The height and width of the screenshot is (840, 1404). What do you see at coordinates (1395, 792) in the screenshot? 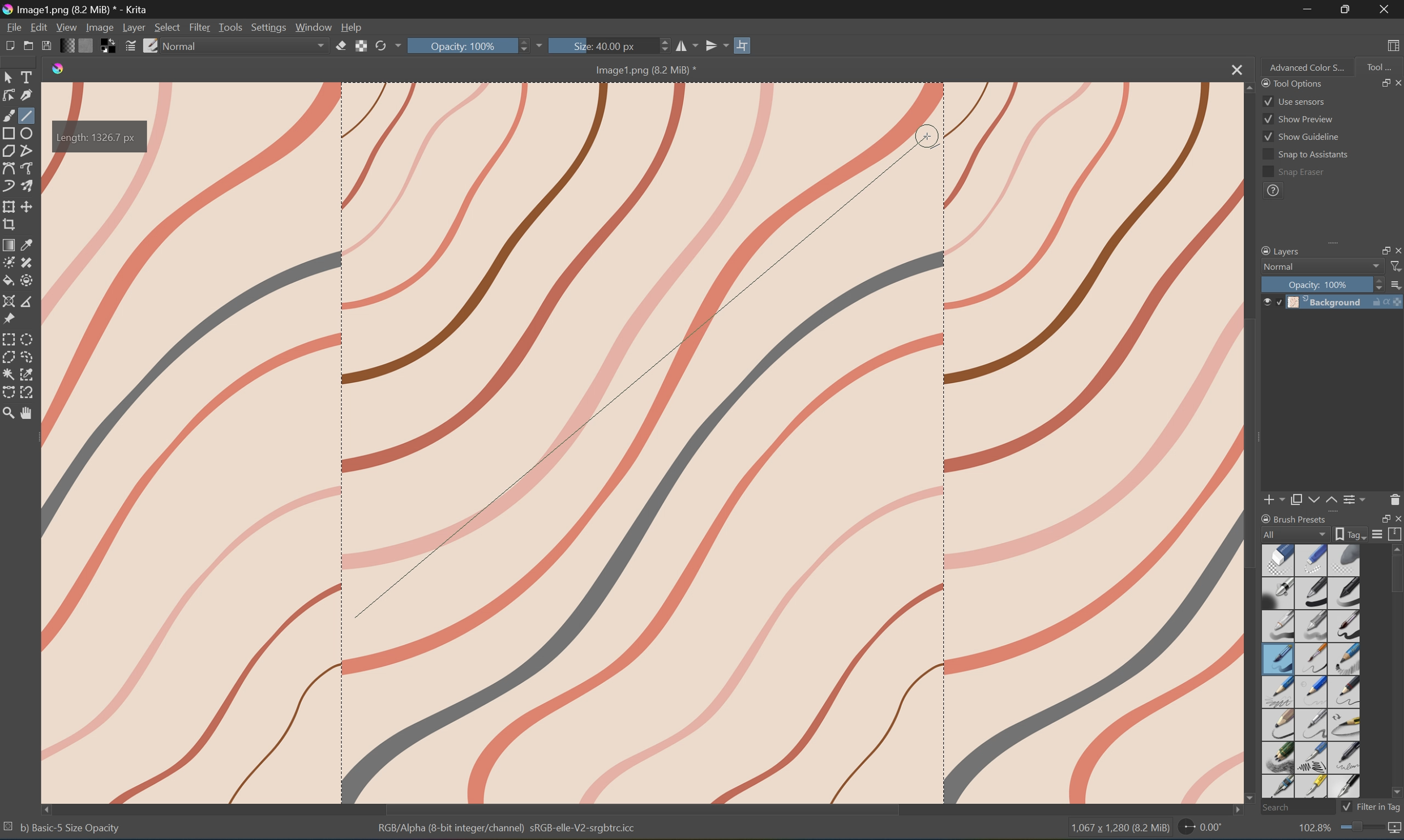
I see `Scroll Down` at bounding box center [1395, 792].